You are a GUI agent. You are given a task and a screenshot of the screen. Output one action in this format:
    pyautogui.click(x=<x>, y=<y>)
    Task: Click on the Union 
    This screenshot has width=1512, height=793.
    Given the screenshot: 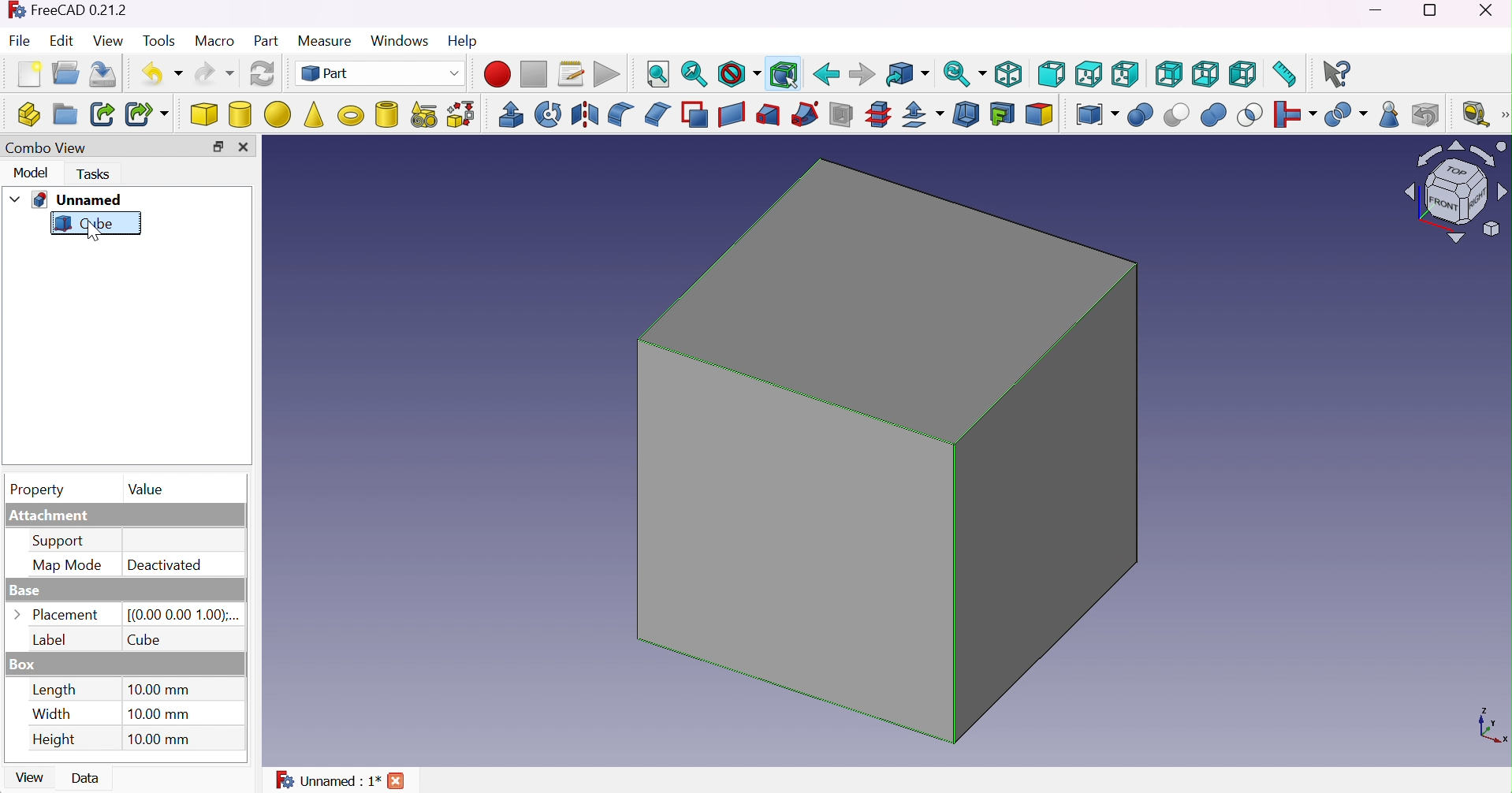 What is the action you would take?
    pyautogui.click(x=1213, y=114)
    